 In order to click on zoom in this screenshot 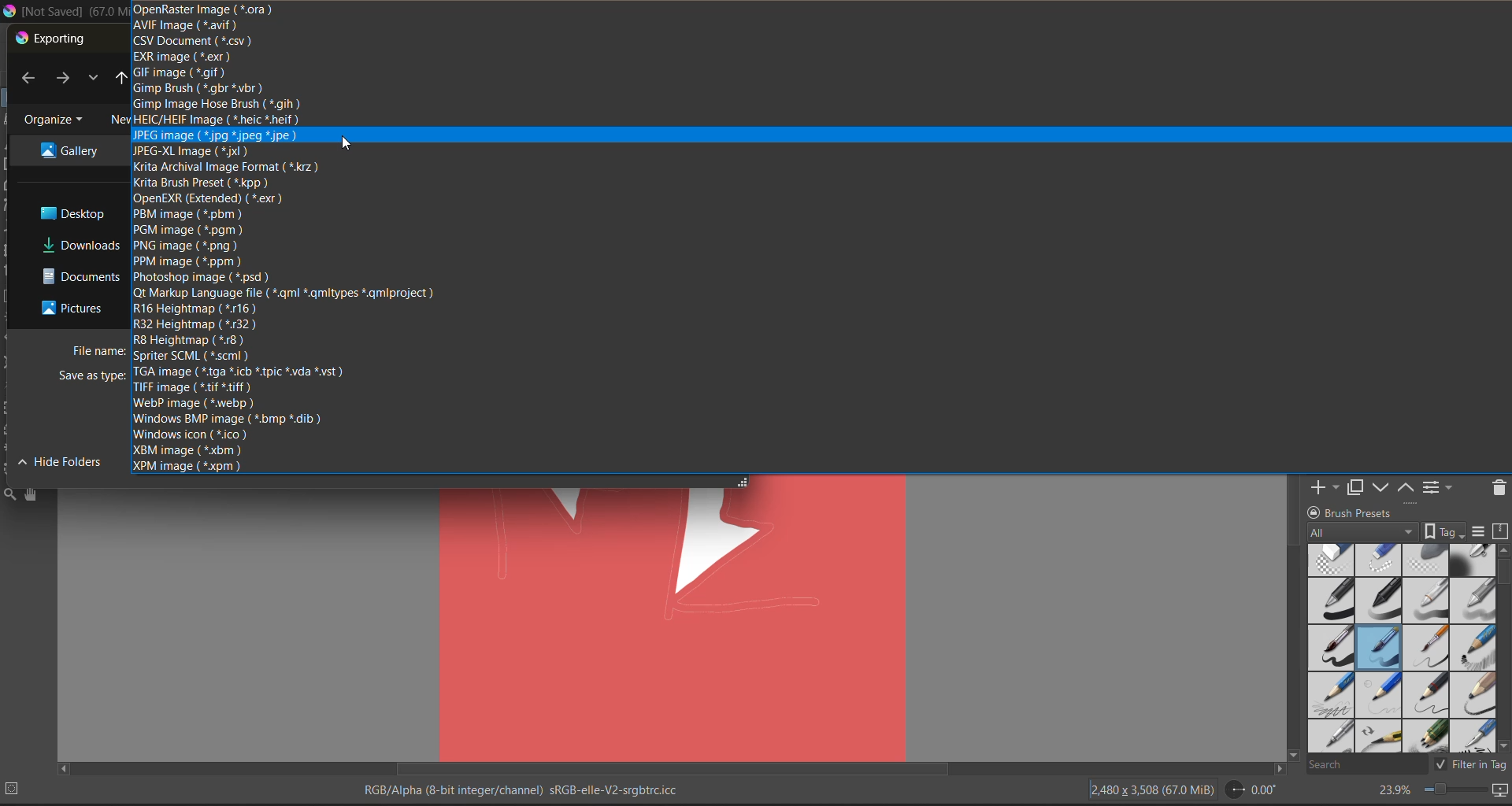, I will do `click(1458, 791)`.